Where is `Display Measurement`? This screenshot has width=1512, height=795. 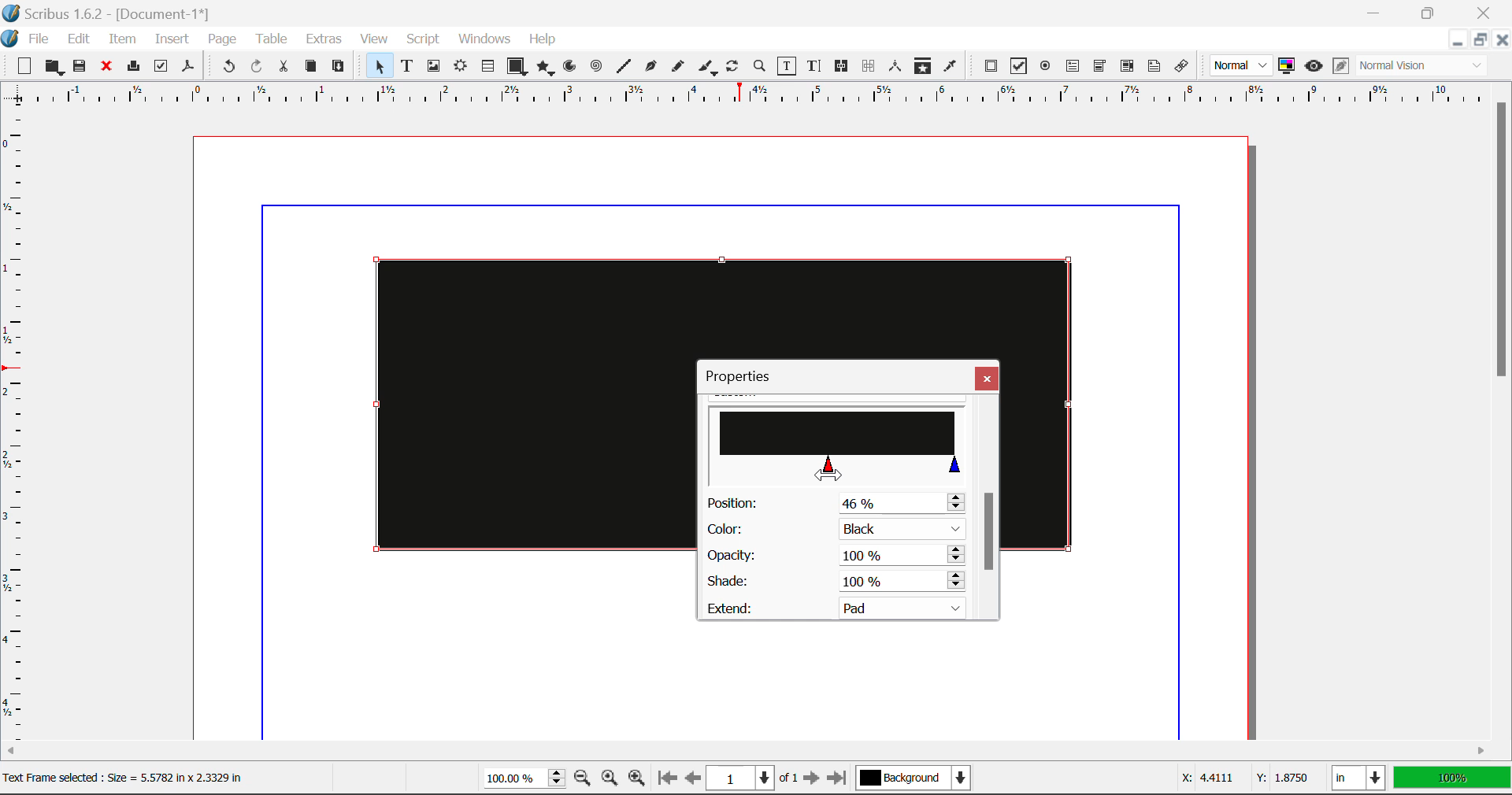
Display Measurement is located at coordinates (1452, 780).